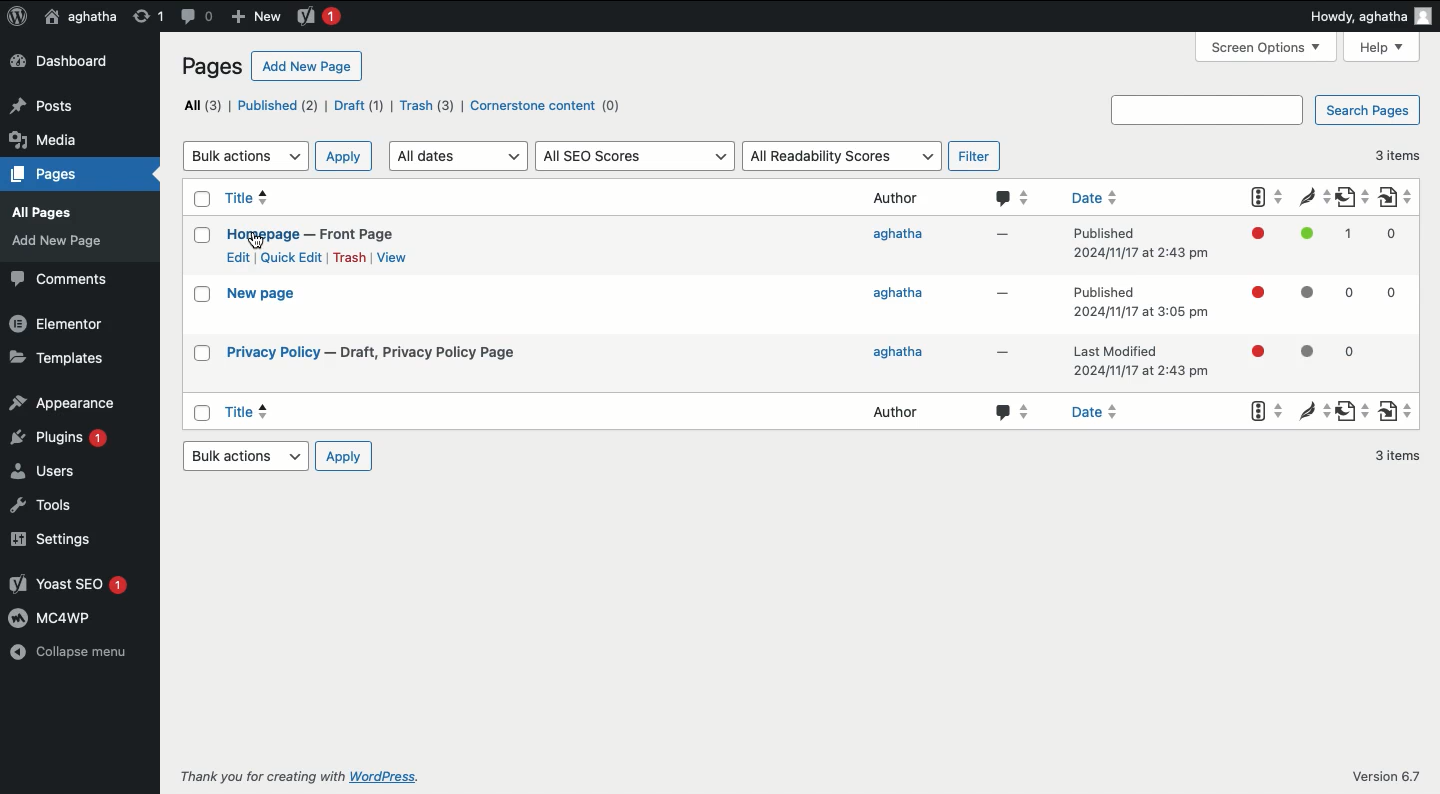 Image resolution: width=1440 pixels, height=794 pixels. I want to click on View, so click(391, 257).